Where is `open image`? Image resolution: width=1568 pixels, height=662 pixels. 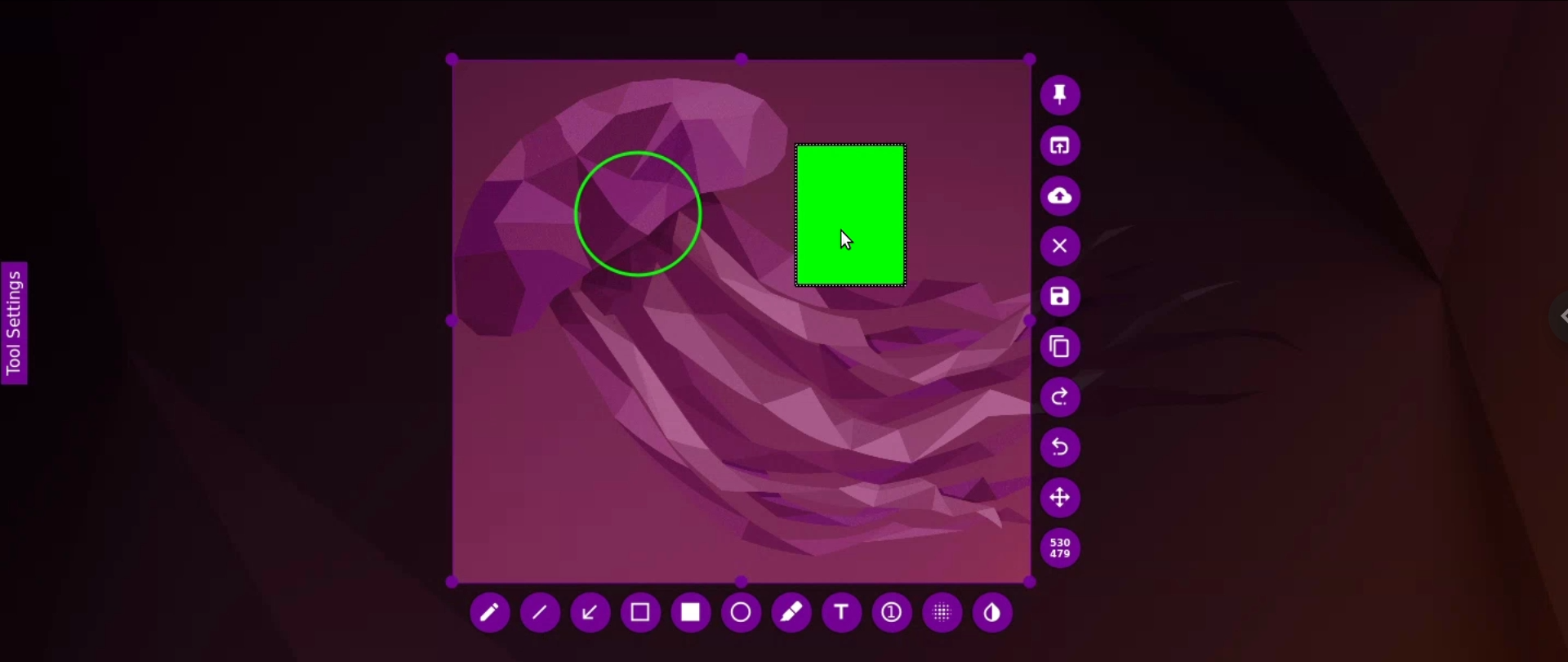
open image is located at coordinates (1062, 145).